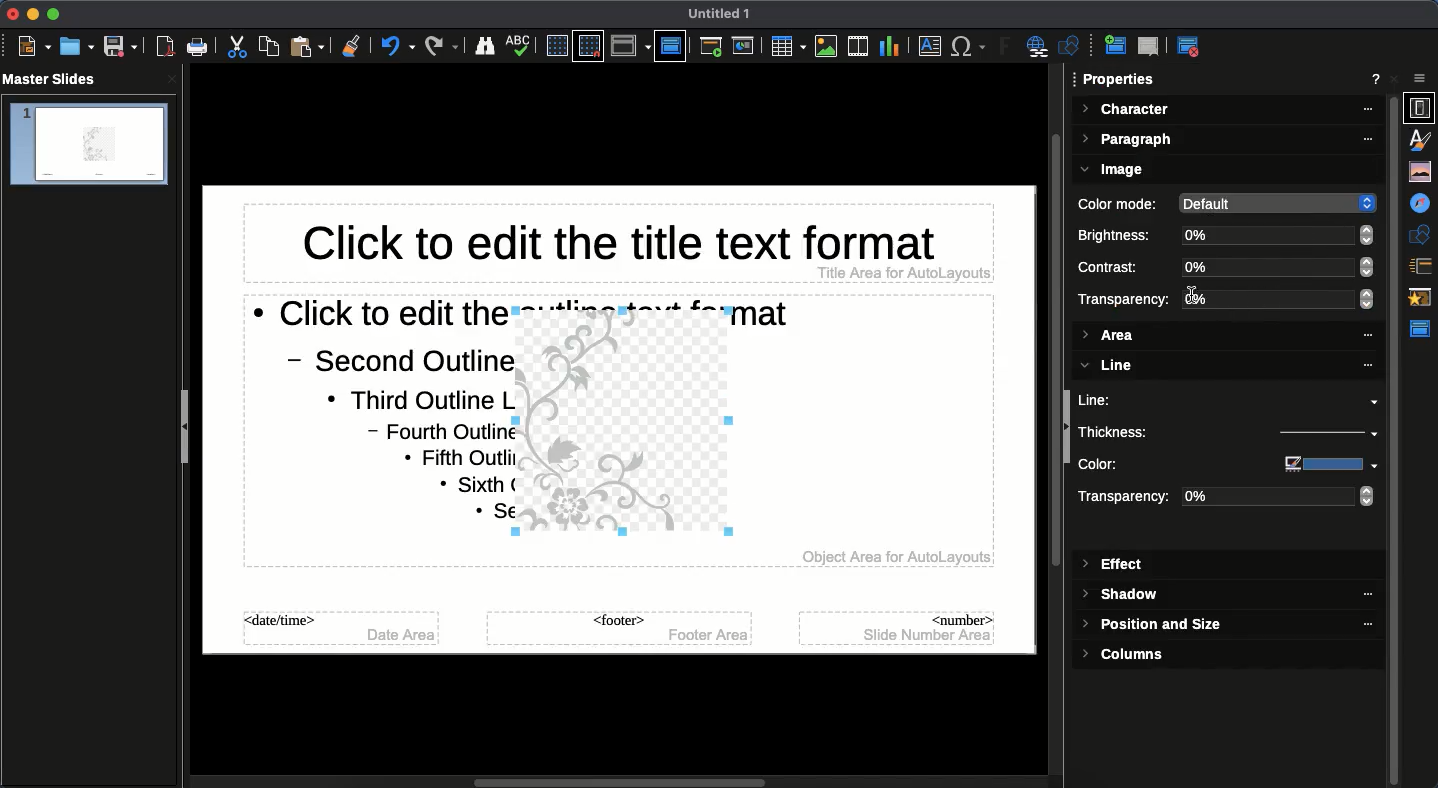 This screenshot has height=788, width=1438. What do you see at coordinates (1419, 108) in the screenshot?
I see `Properties` at bounding box center [1419, 108].